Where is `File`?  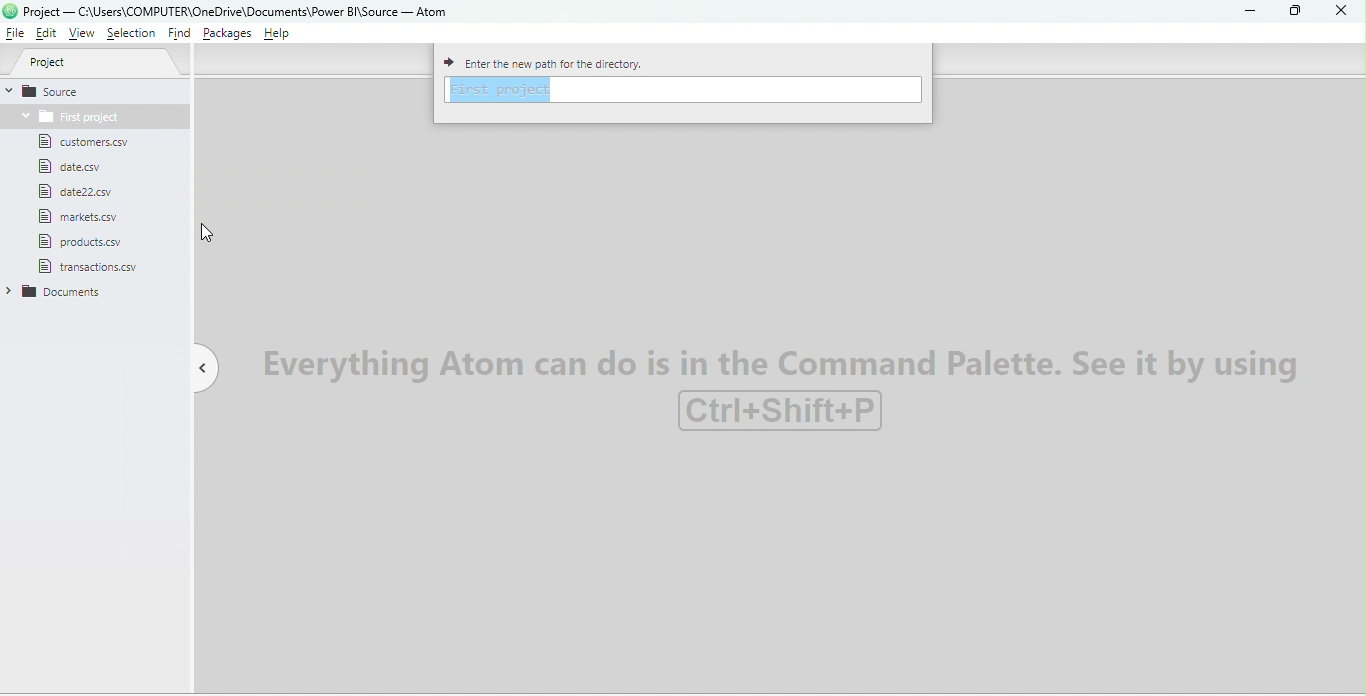 File is located at coordinates (76, 216).